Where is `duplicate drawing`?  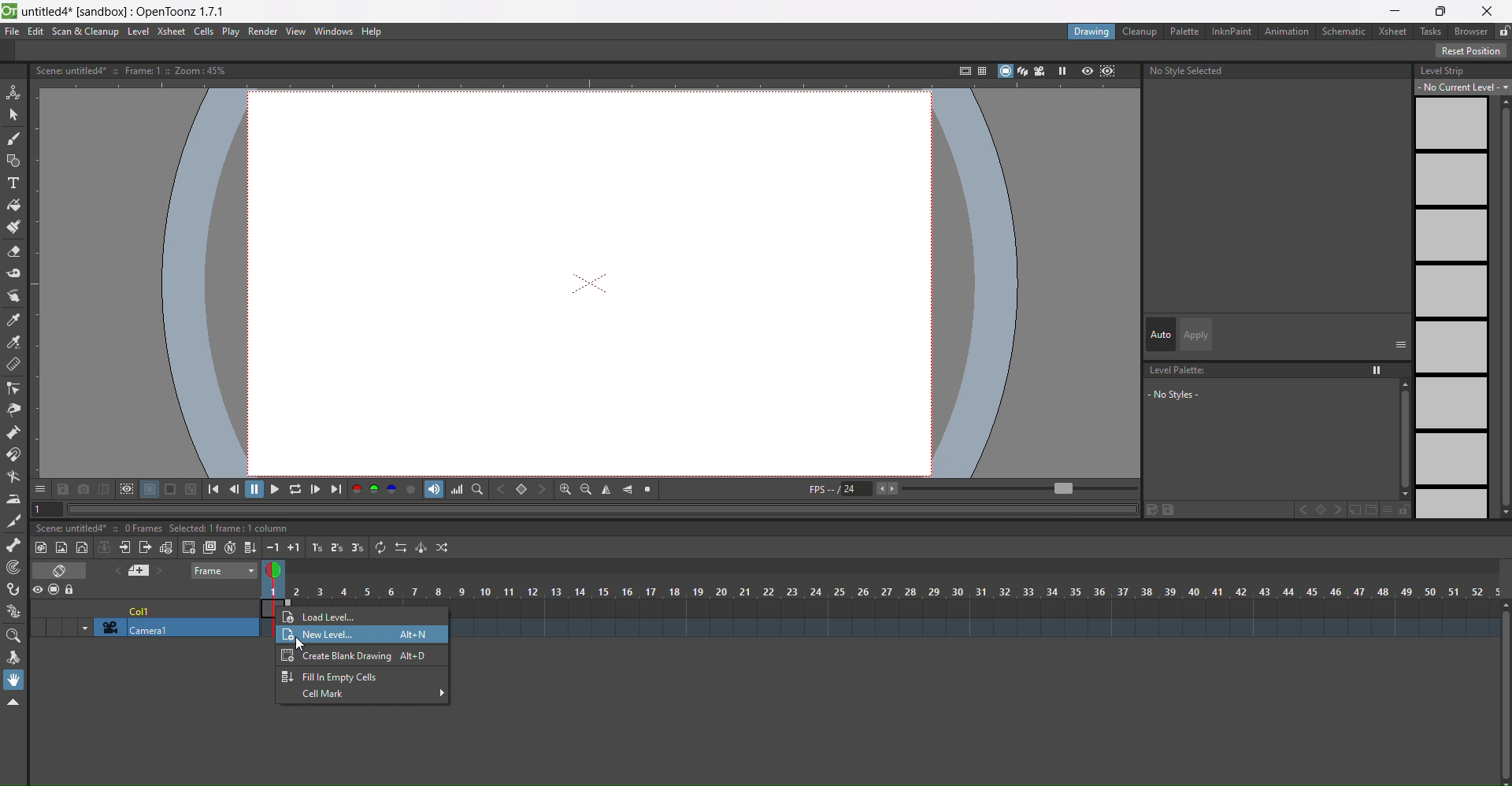 duplicate drawing is located at coordinates (209, 548).